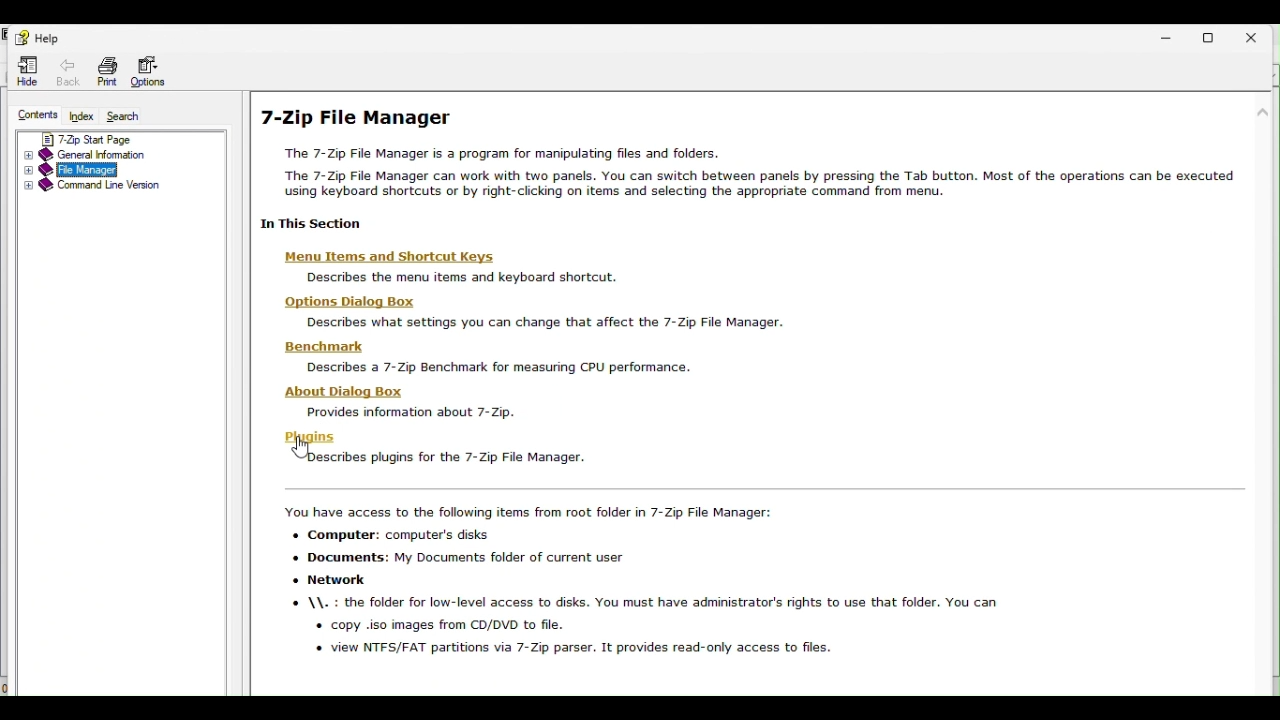 The image size is (1280, 720). What do you see at coordinates (130, 116) in the screenshot?
I see `Search` at bounding box center [130, 116].